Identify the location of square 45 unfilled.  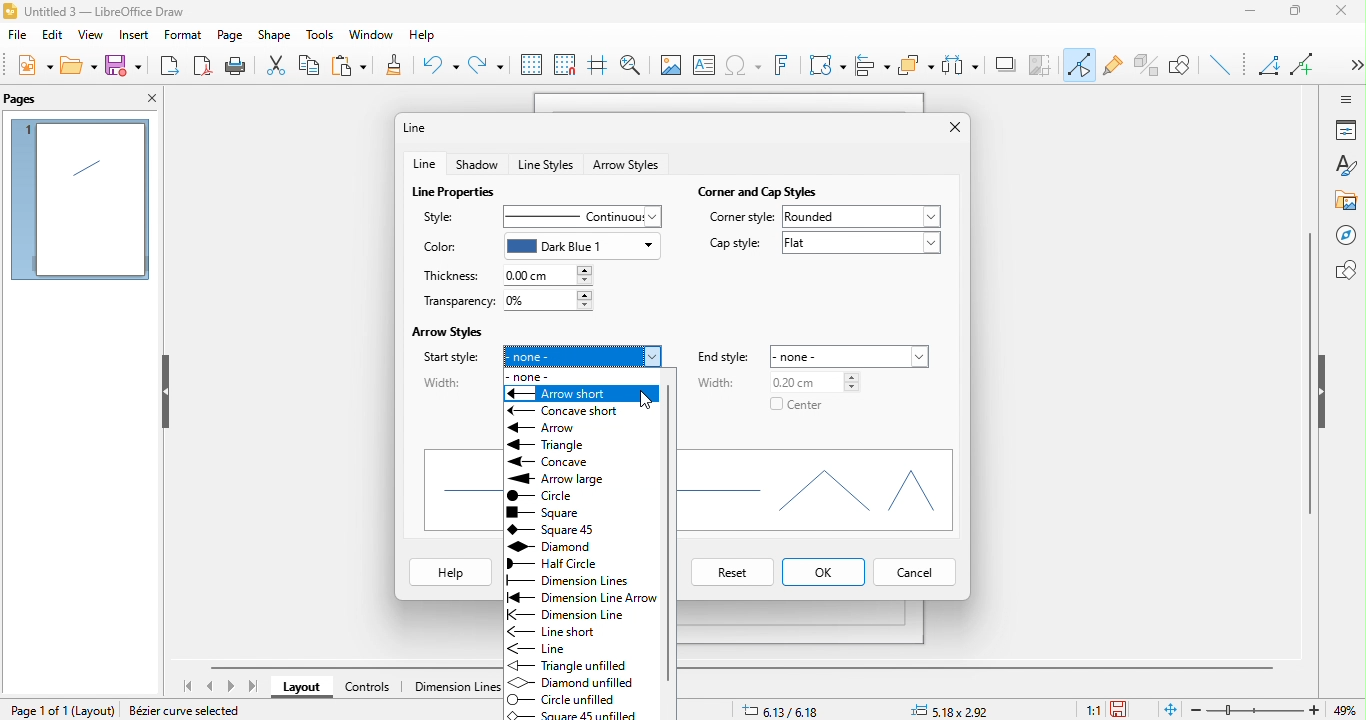
(578, 715).